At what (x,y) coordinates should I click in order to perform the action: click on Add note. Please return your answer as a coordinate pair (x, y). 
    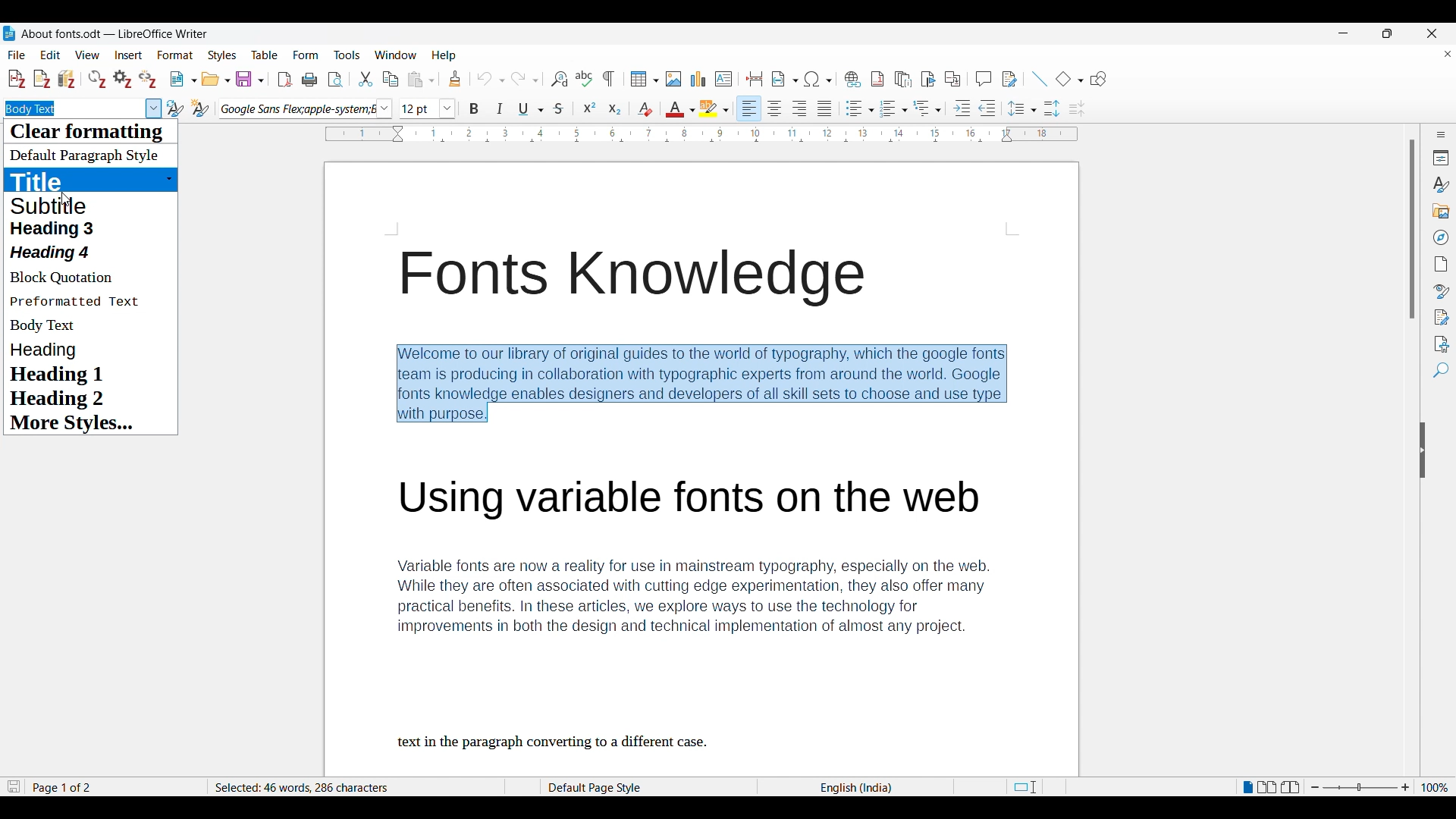
    Looking at the image, I should click on (42, 80).